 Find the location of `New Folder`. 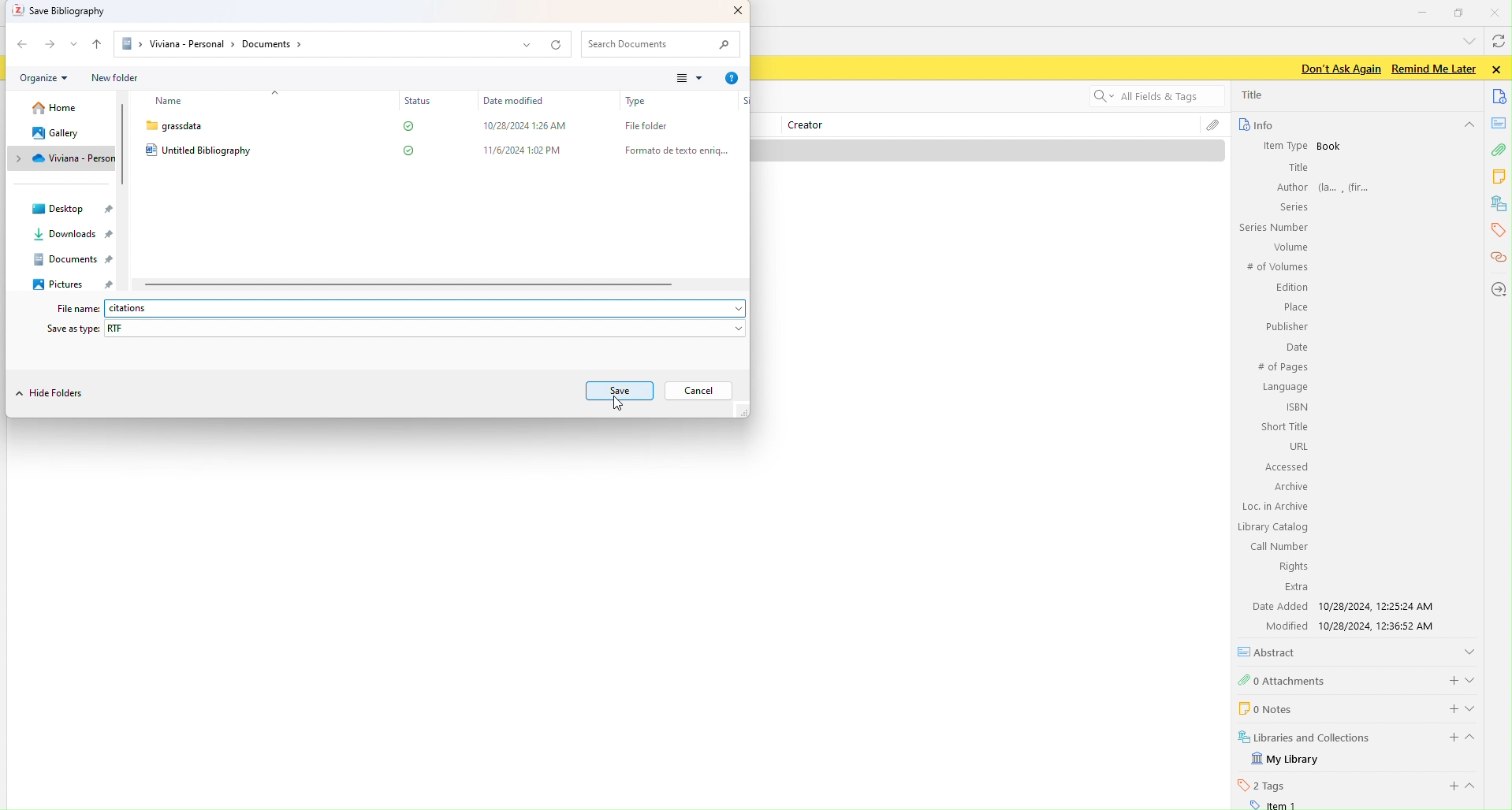

New Folder is located at coordinates (117, 78).